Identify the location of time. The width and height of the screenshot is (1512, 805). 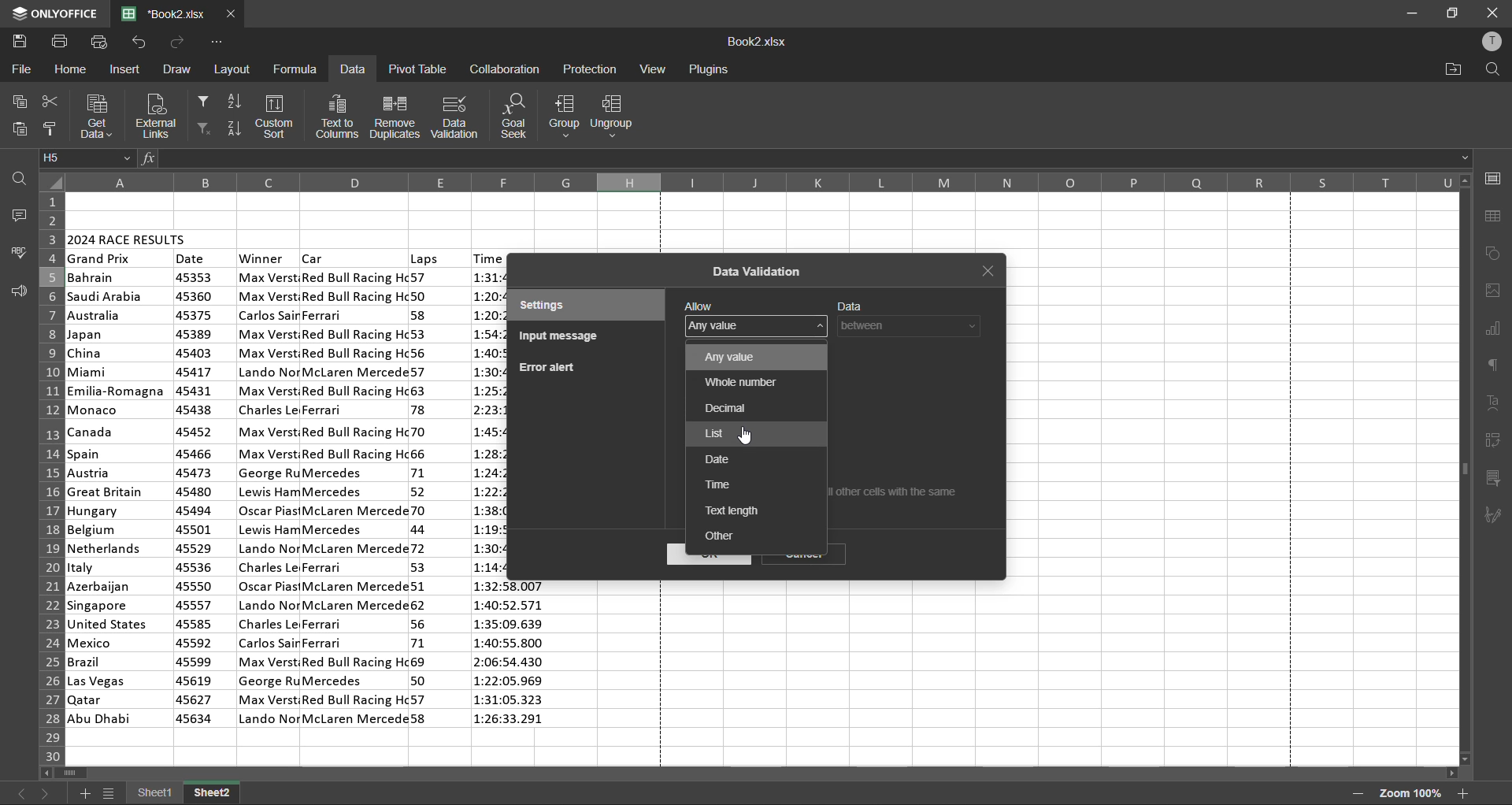
(487, 258).